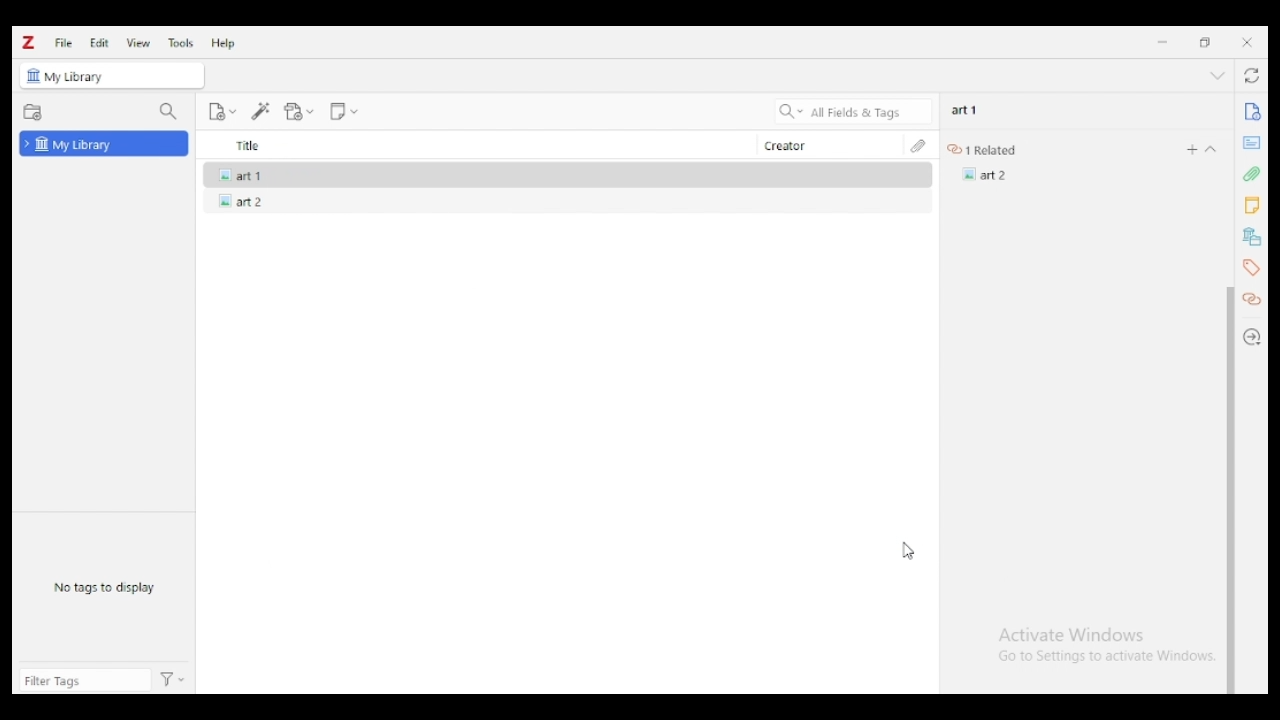 This screenshot has width=1280, height=720. Describe the element at coordinates (82, 78) in the screenshot. I see `my library` at that location.